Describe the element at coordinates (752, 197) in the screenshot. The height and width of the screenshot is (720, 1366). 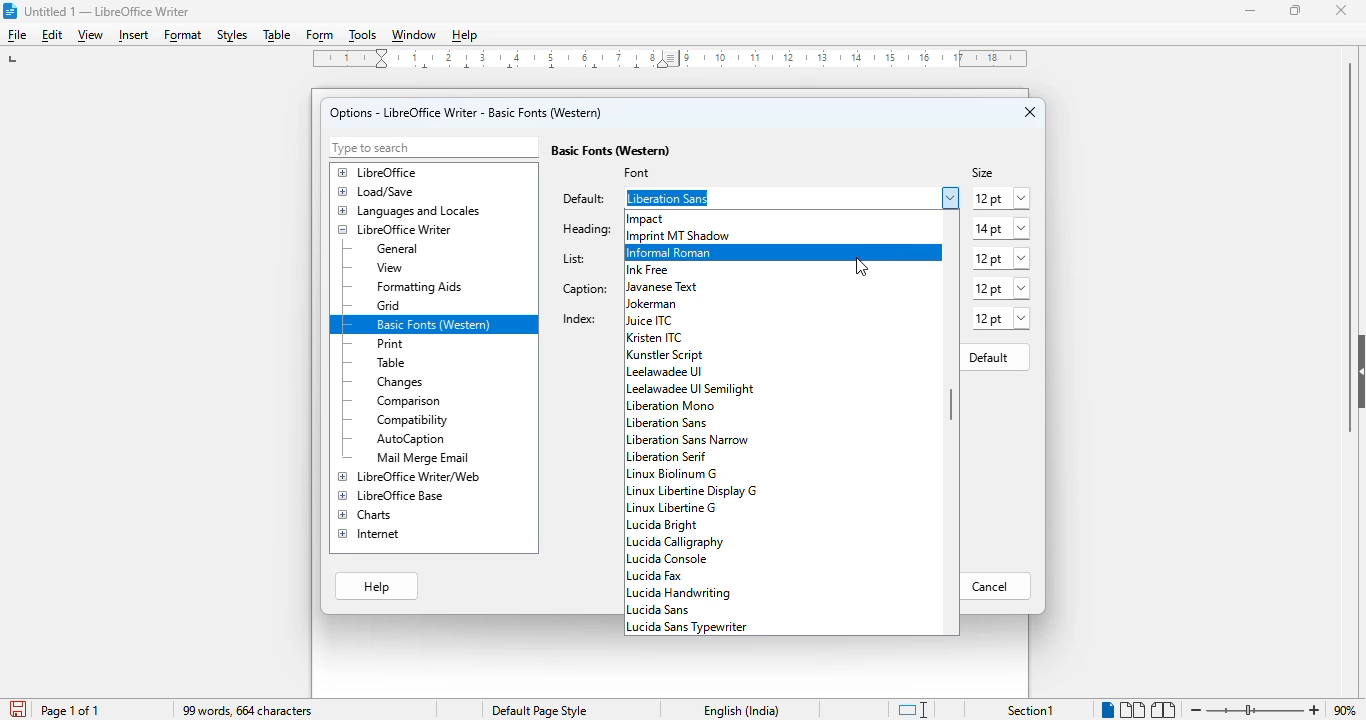
I see `Liberation Sans` at that location.